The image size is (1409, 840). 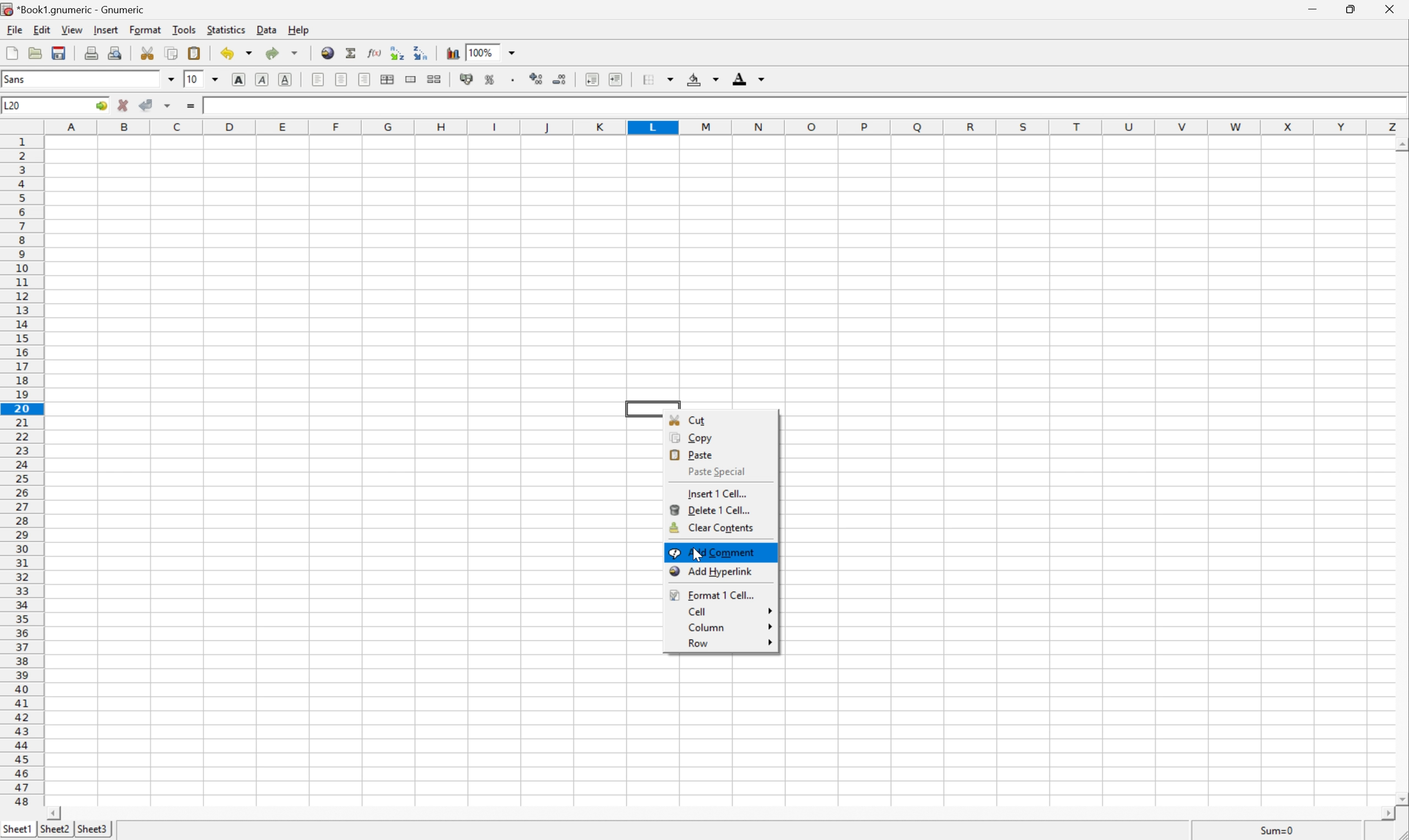 I want to click on Merge a range of cells, so click(x=411, y=80).